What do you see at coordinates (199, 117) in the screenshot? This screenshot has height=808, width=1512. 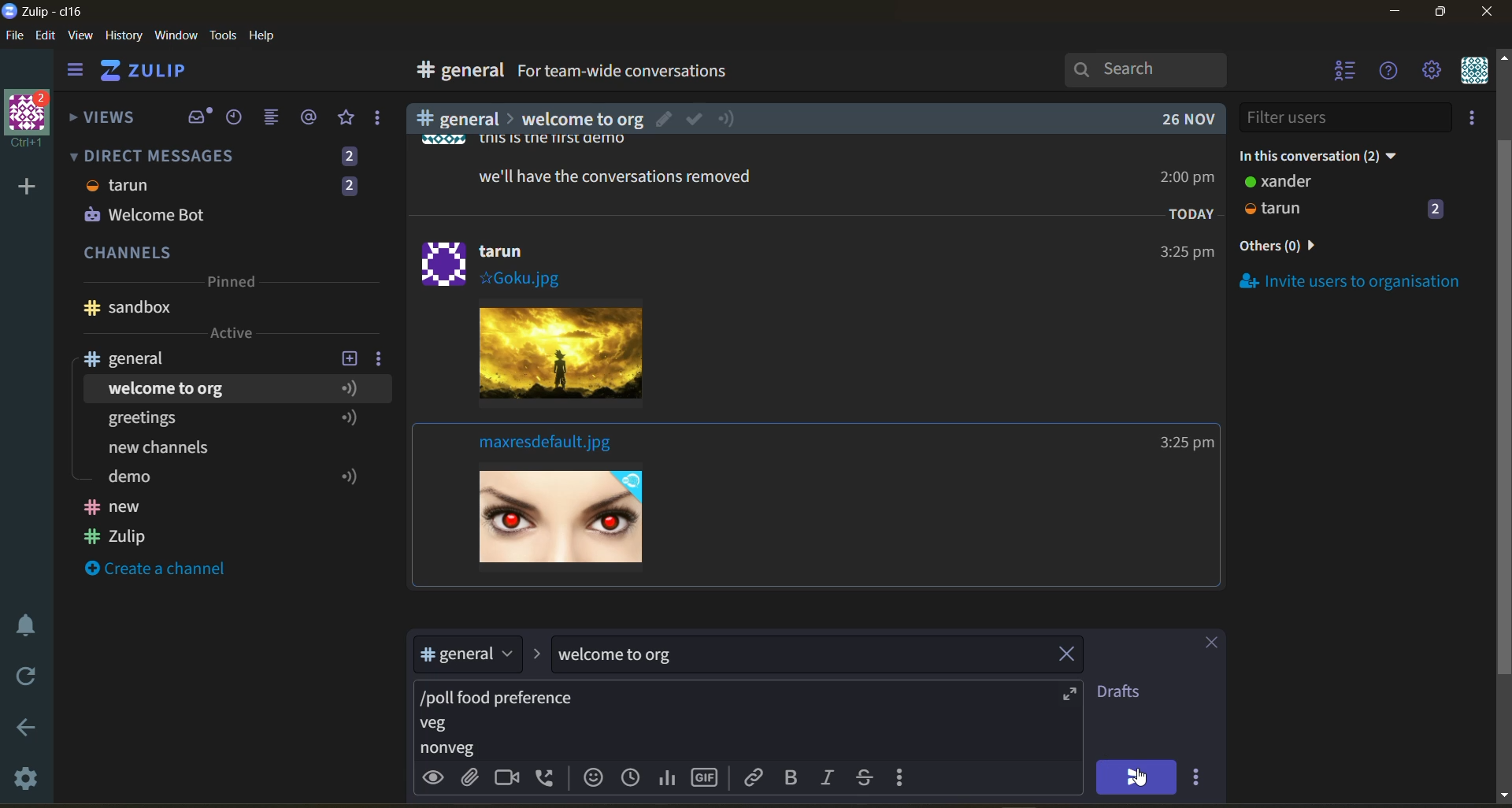 I see `inbox` at bounding box center [199, 117].